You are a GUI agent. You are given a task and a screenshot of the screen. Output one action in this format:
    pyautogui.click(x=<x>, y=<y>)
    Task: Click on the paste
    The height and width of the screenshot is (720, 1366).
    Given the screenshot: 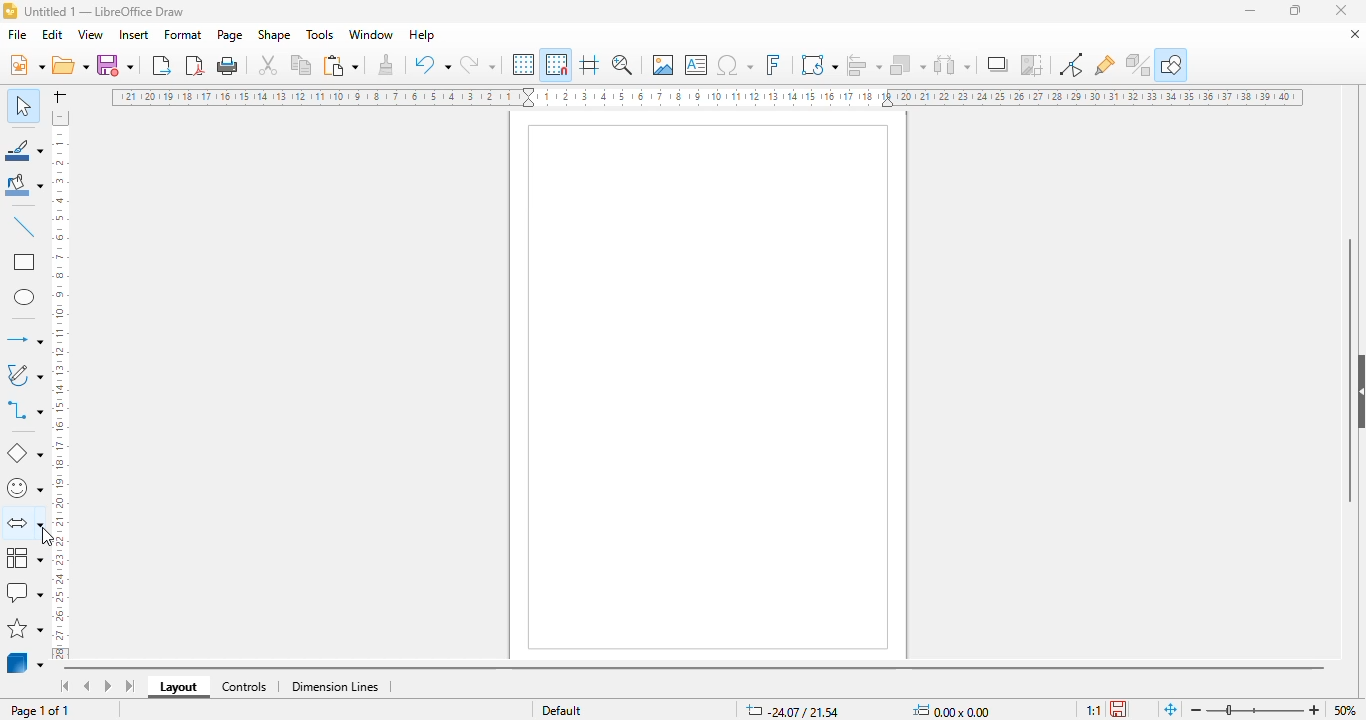 What is the action you would take?
    pyautogui.click(x=340, y=65)
    